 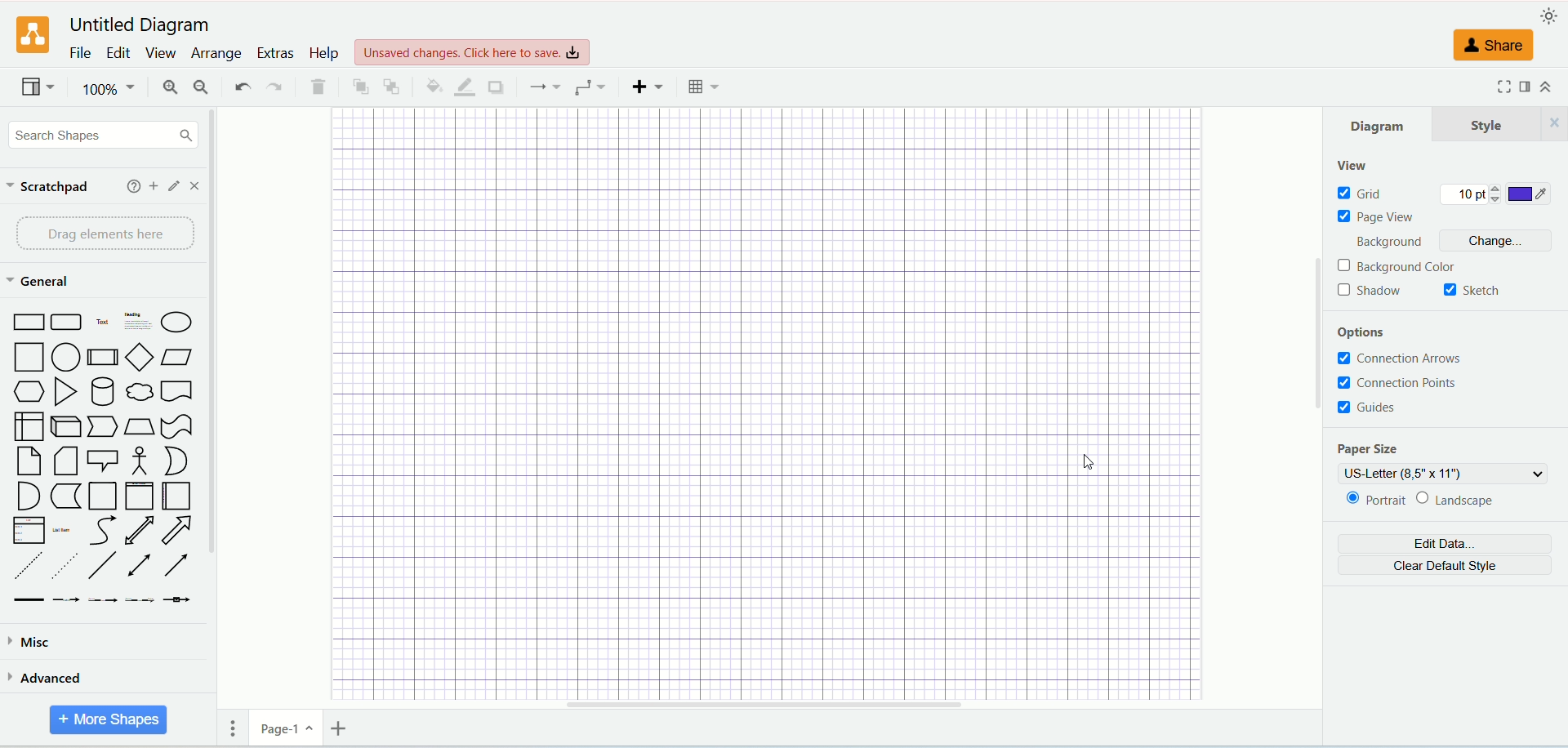 What do you see at coordinates (139, 26) in the screenshot?
I see `untitled diagram` at bounding box center [139, 26].